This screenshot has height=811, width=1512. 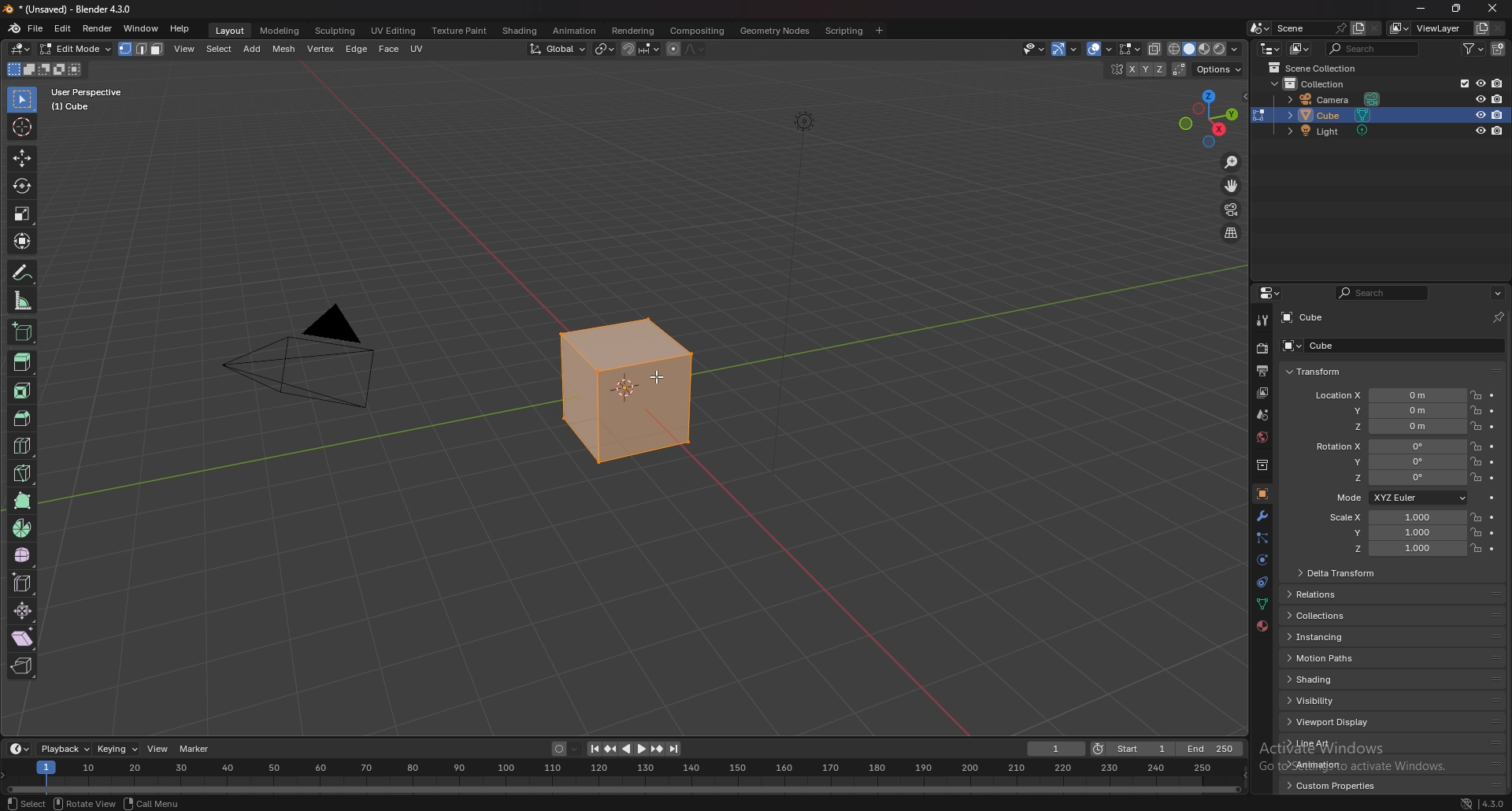 What do you see at coordinates (24, 332) in the screenshot?
I see `add cube` at bounding box center [24, 332].